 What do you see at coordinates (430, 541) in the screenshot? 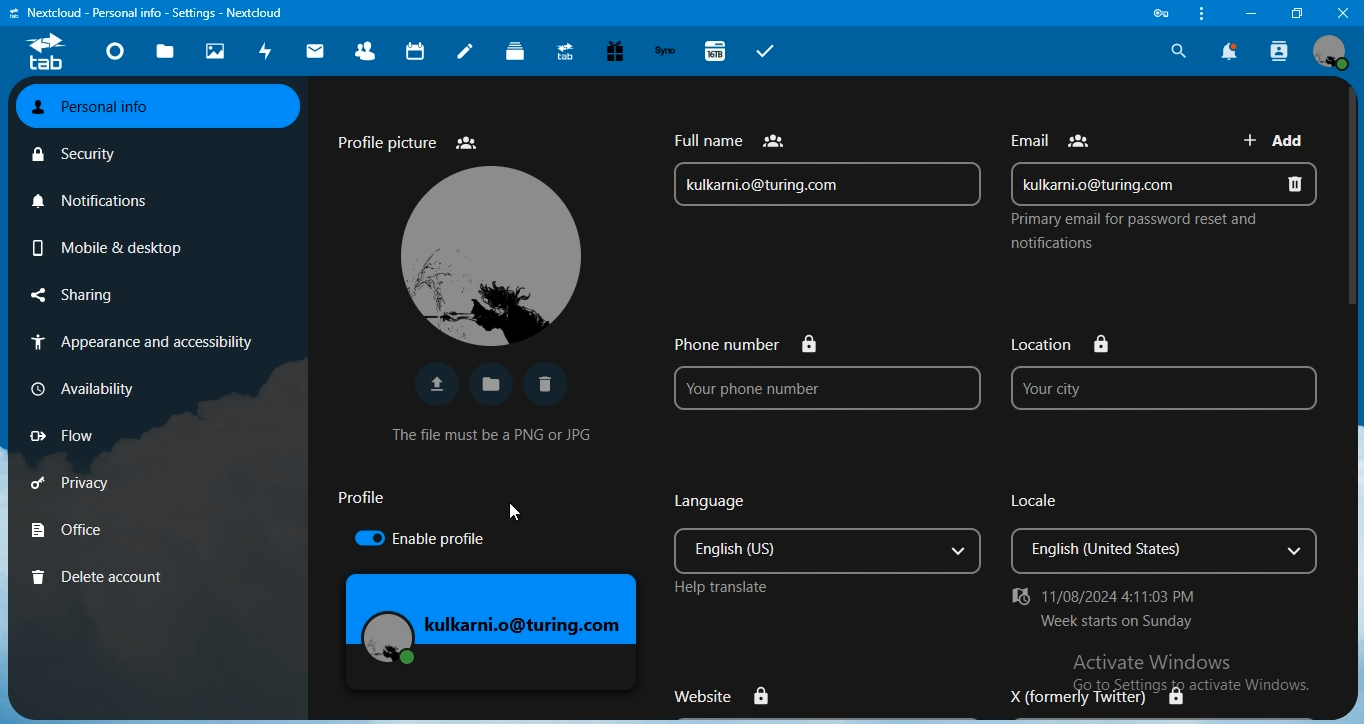
I see `@D Enable profile` at bounding box center [430, 541].